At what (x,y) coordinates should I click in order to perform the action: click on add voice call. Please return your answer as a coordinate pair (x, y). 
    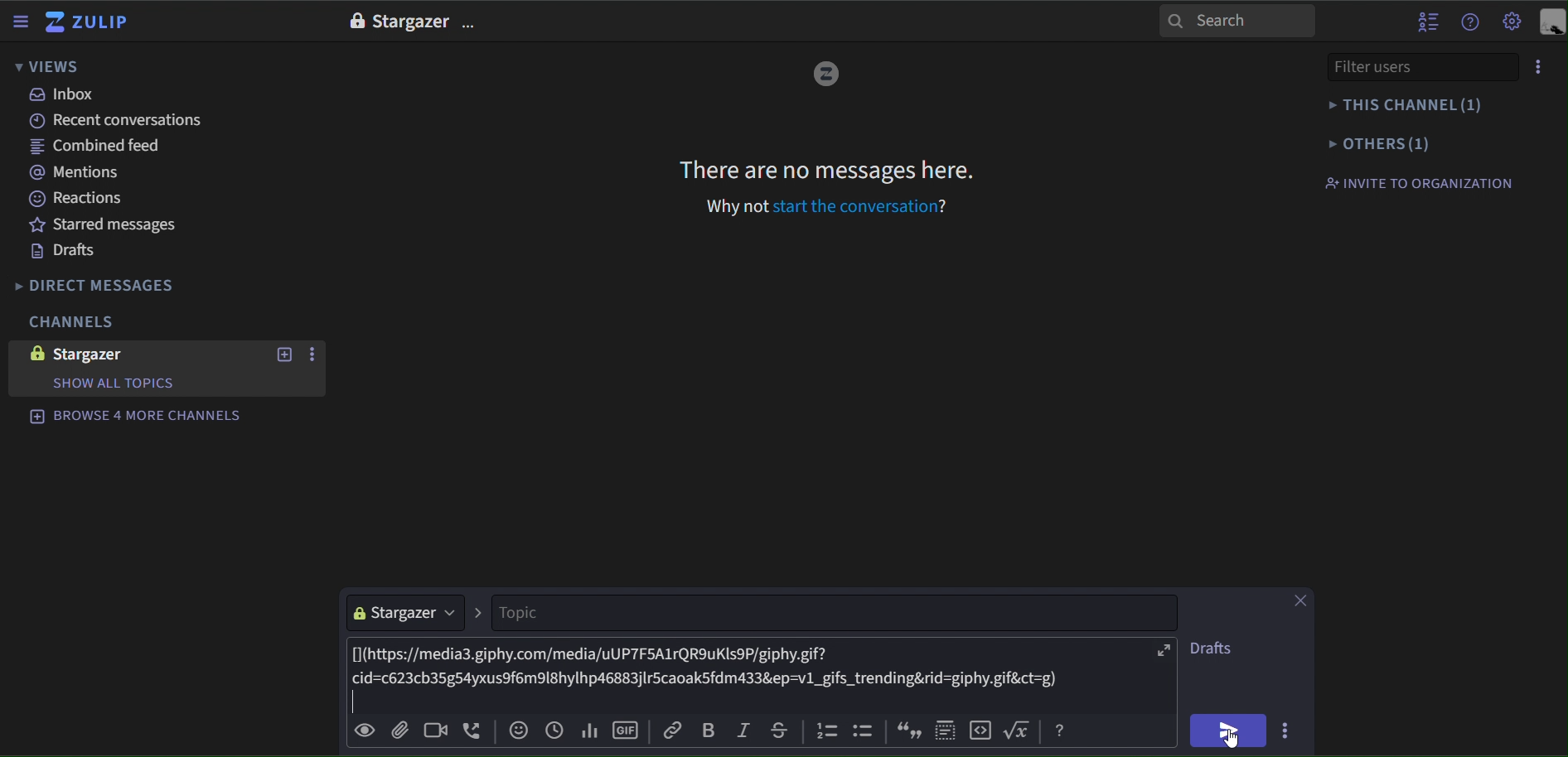
    Looking at the image, I should click on (473, 731).